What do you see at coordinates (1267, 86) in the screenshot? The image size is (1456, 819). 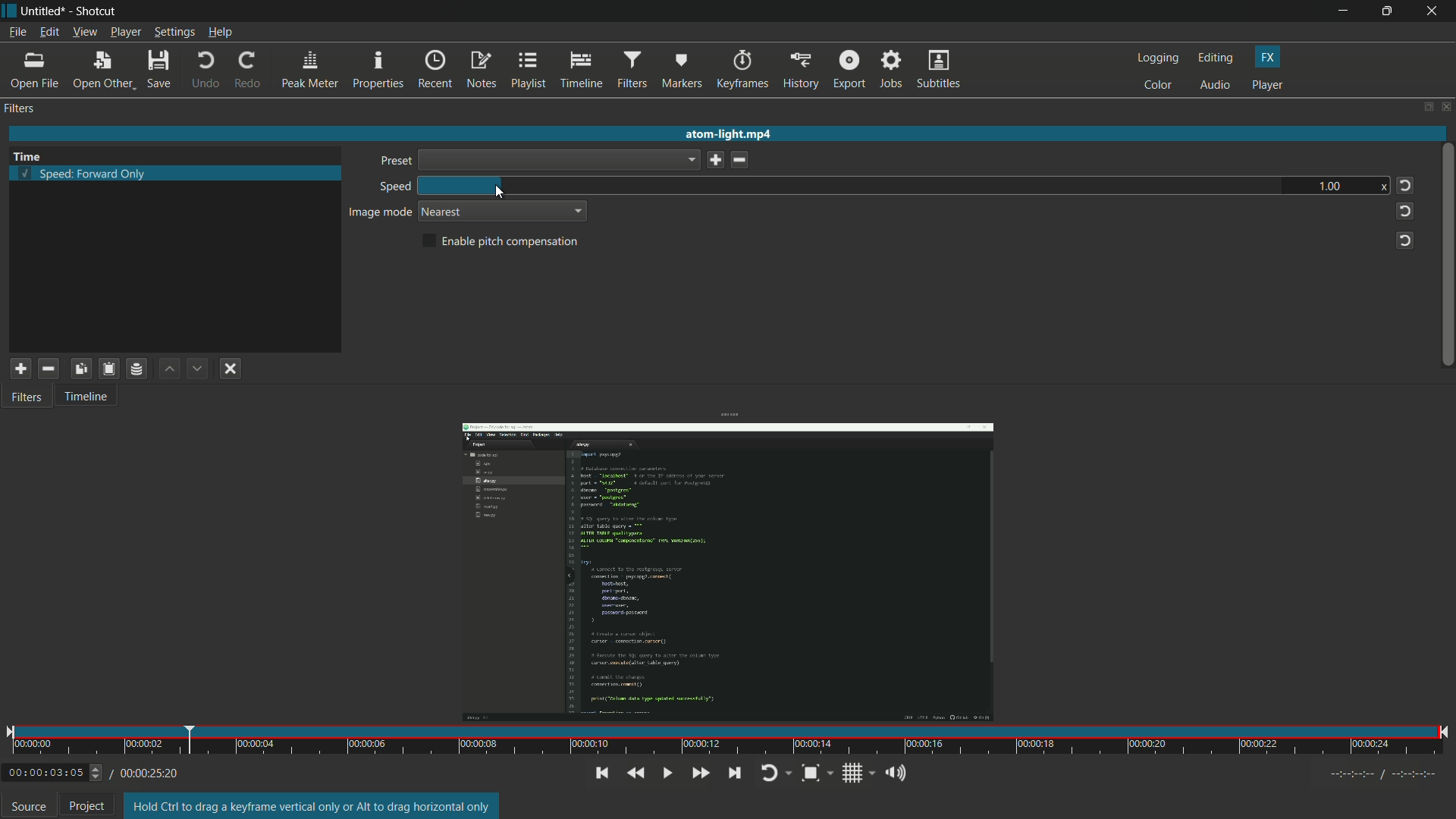 I see `player` at bounding box center [1267, 86].